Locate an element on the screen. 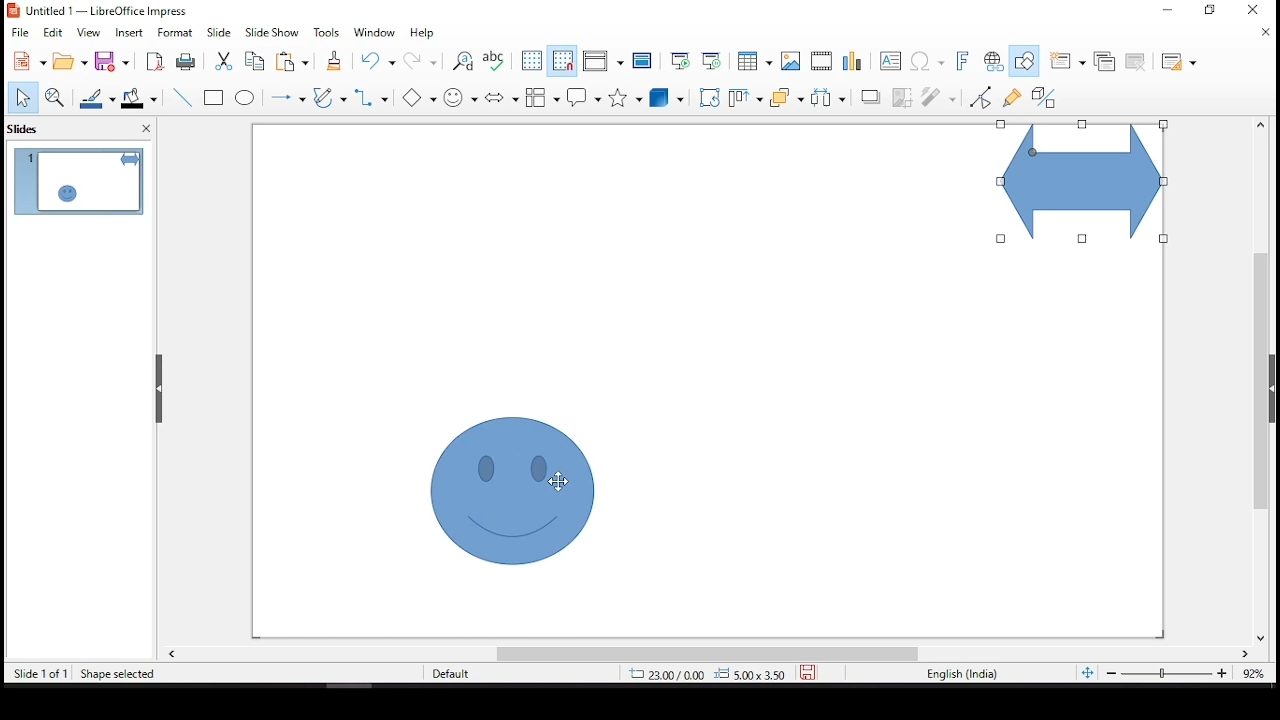 The image size is (1280, 720). lines and arrows is located at coordinates (287, 97).